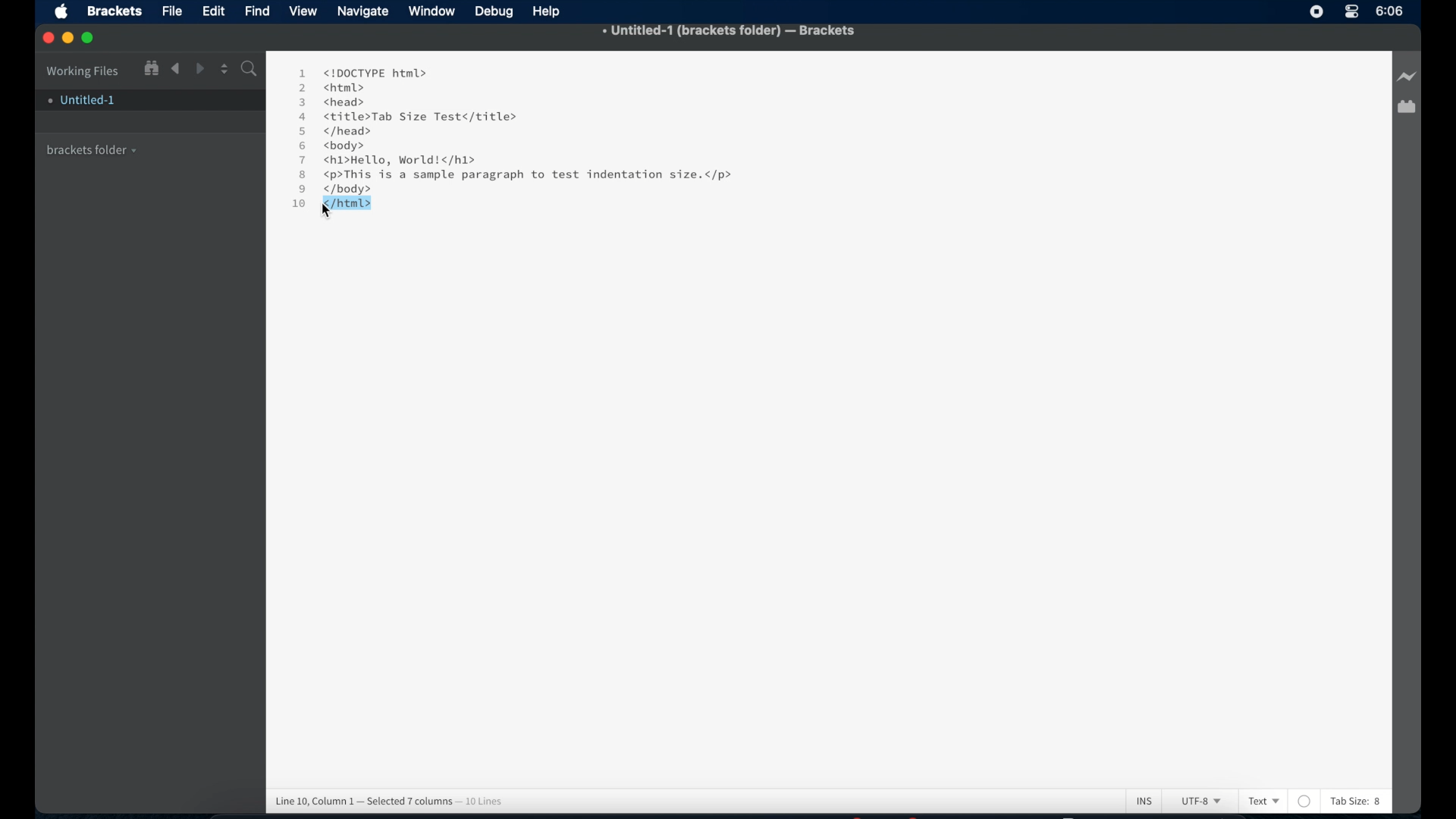 This screenshot has width=1456, height=819. What do you see at coordinates (519, 175) in the screenshot?
I see `8 <p>This is a sample paragraph to test indentation size.</p>` at bounding box center [519, 175].